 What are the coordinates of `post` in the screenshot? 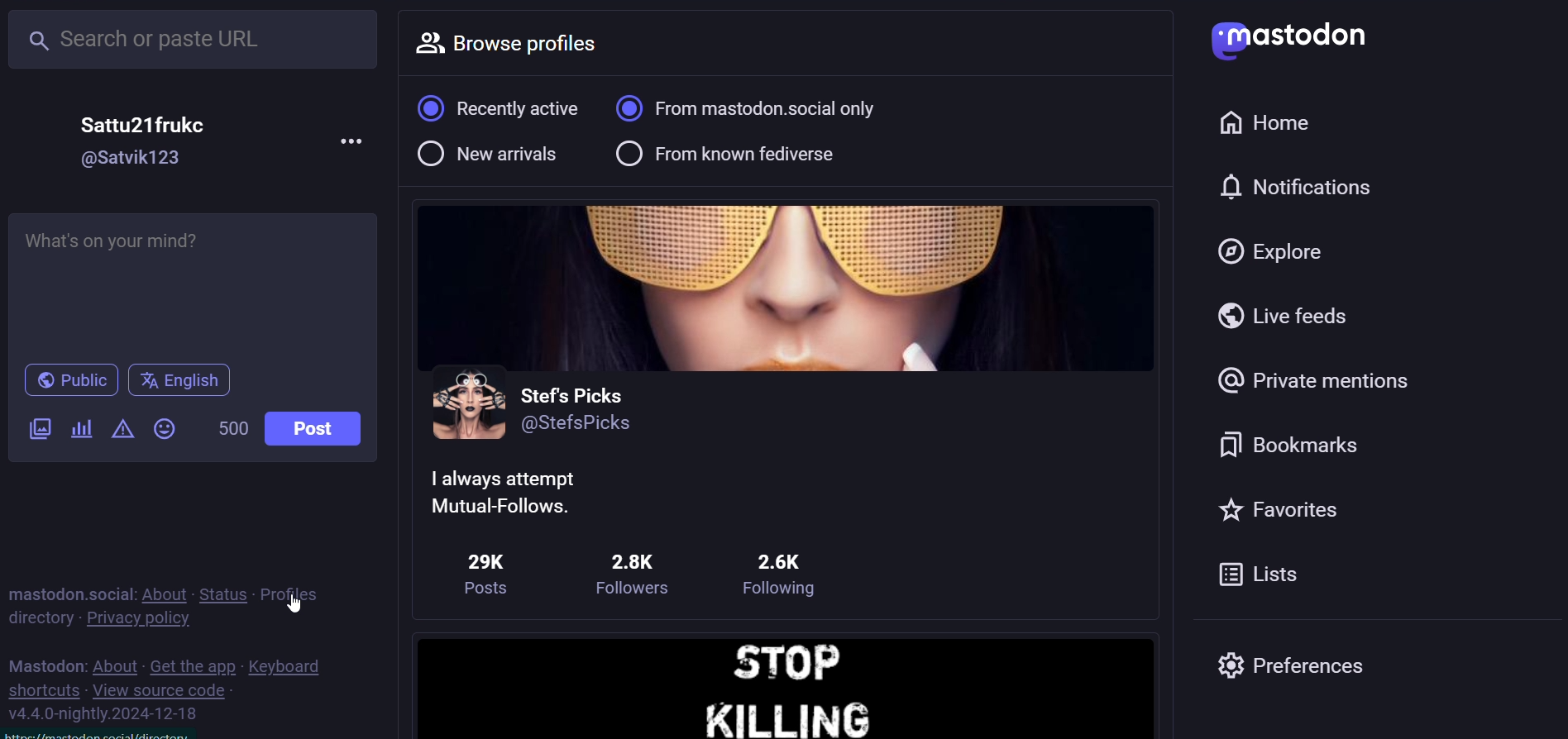 It's located at (322, 432).